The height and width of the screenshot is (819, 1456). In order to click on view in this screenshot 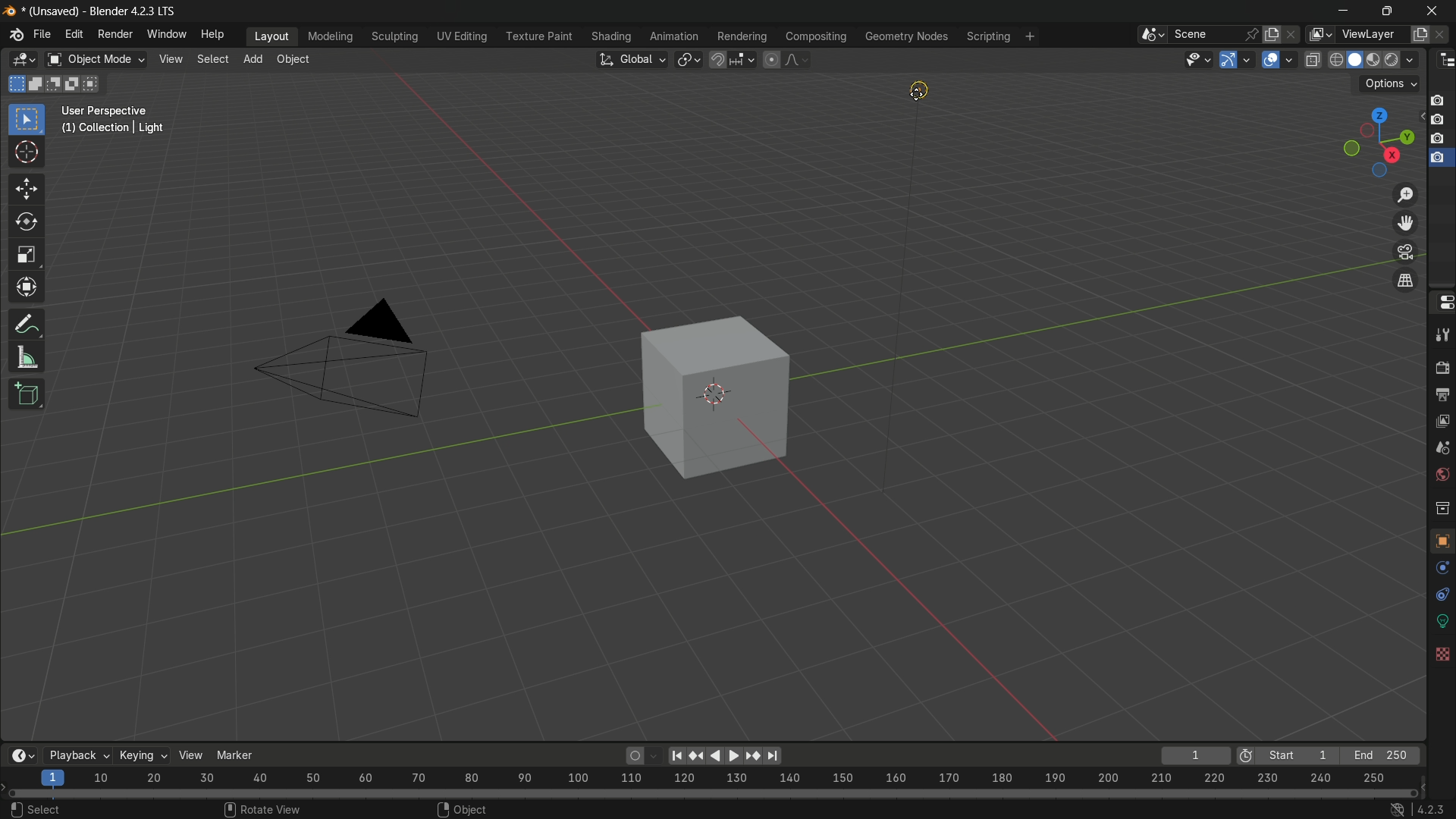, I will do `click(171, 60)`.